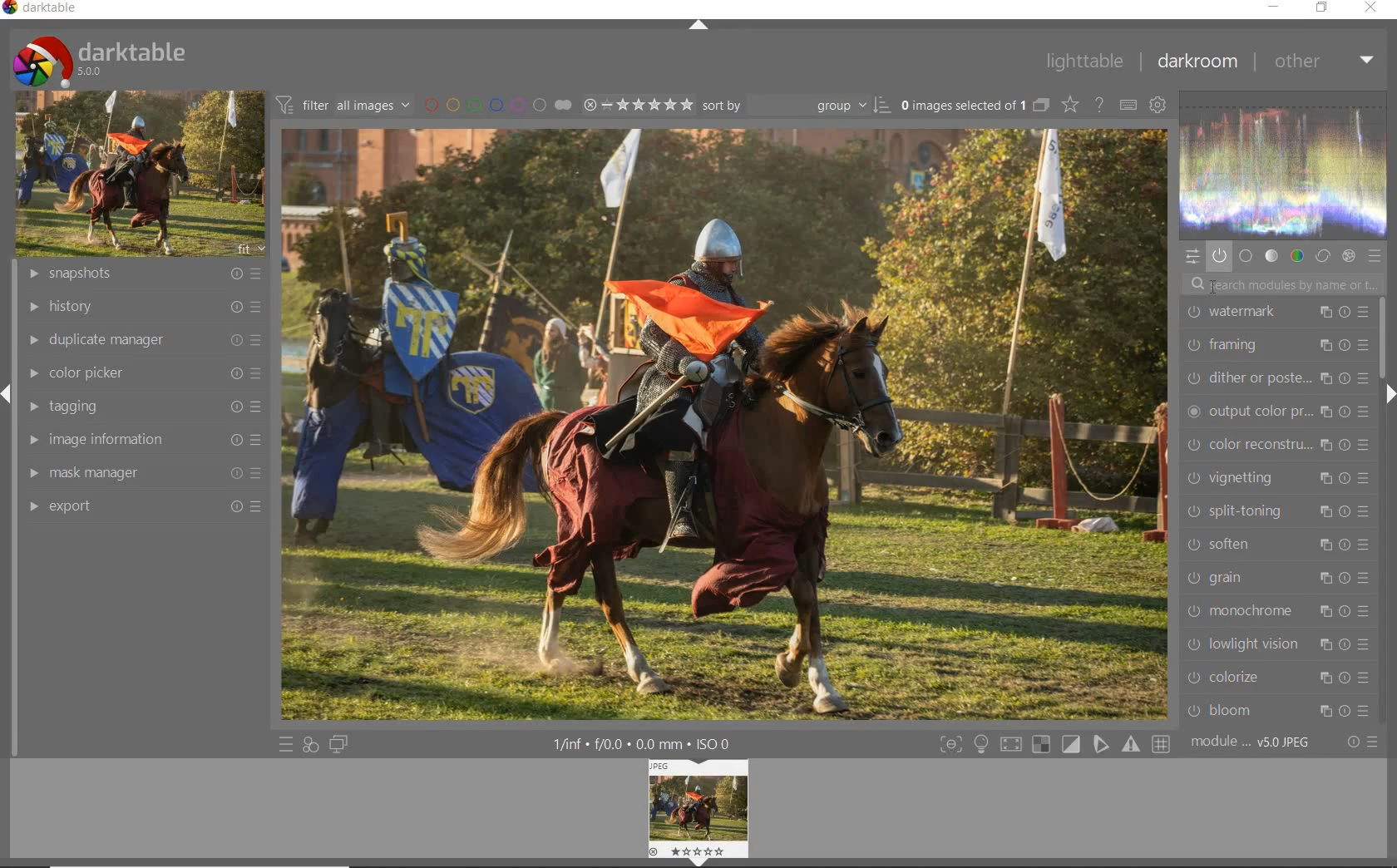 The image size is (1397, 868). What do you see at coordinates (1375, 257) in the screenshot?
I see `presets` at bounding box center [1375, 257].